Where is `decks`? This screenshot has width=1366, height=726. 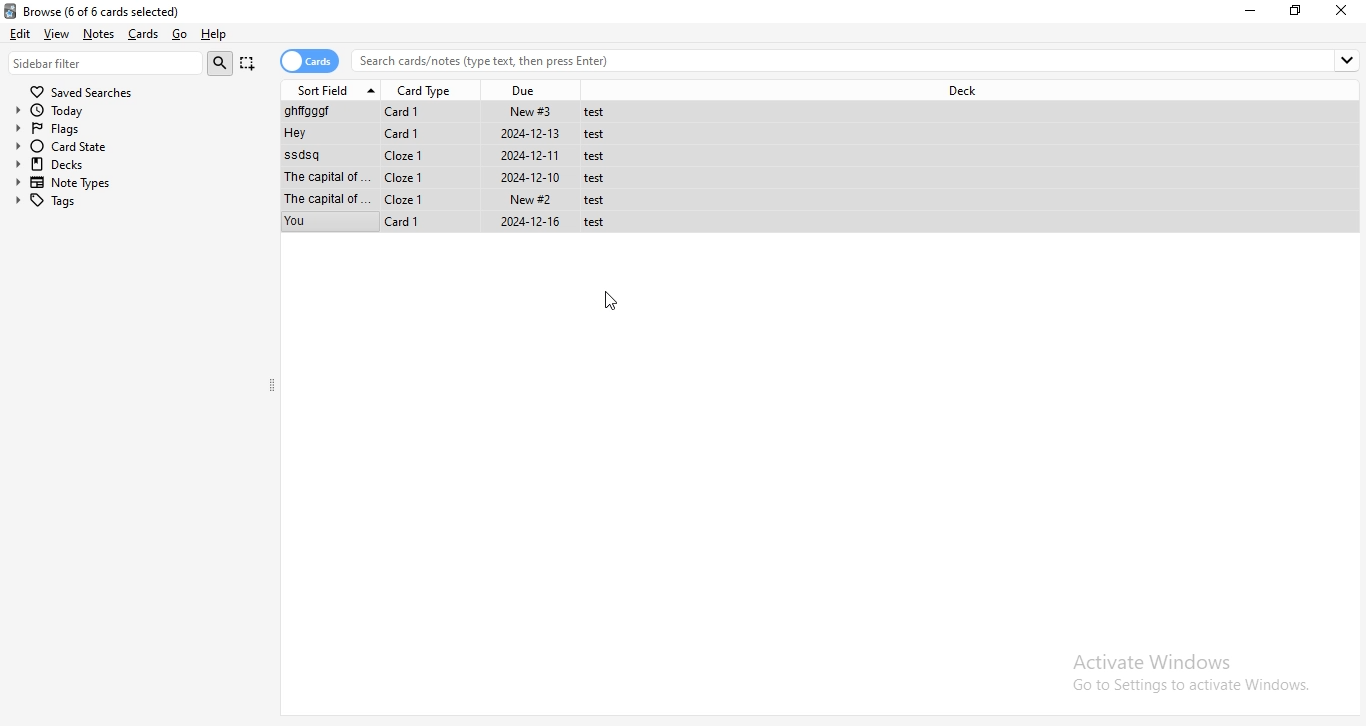
decks is located at coordinates (134, 164).